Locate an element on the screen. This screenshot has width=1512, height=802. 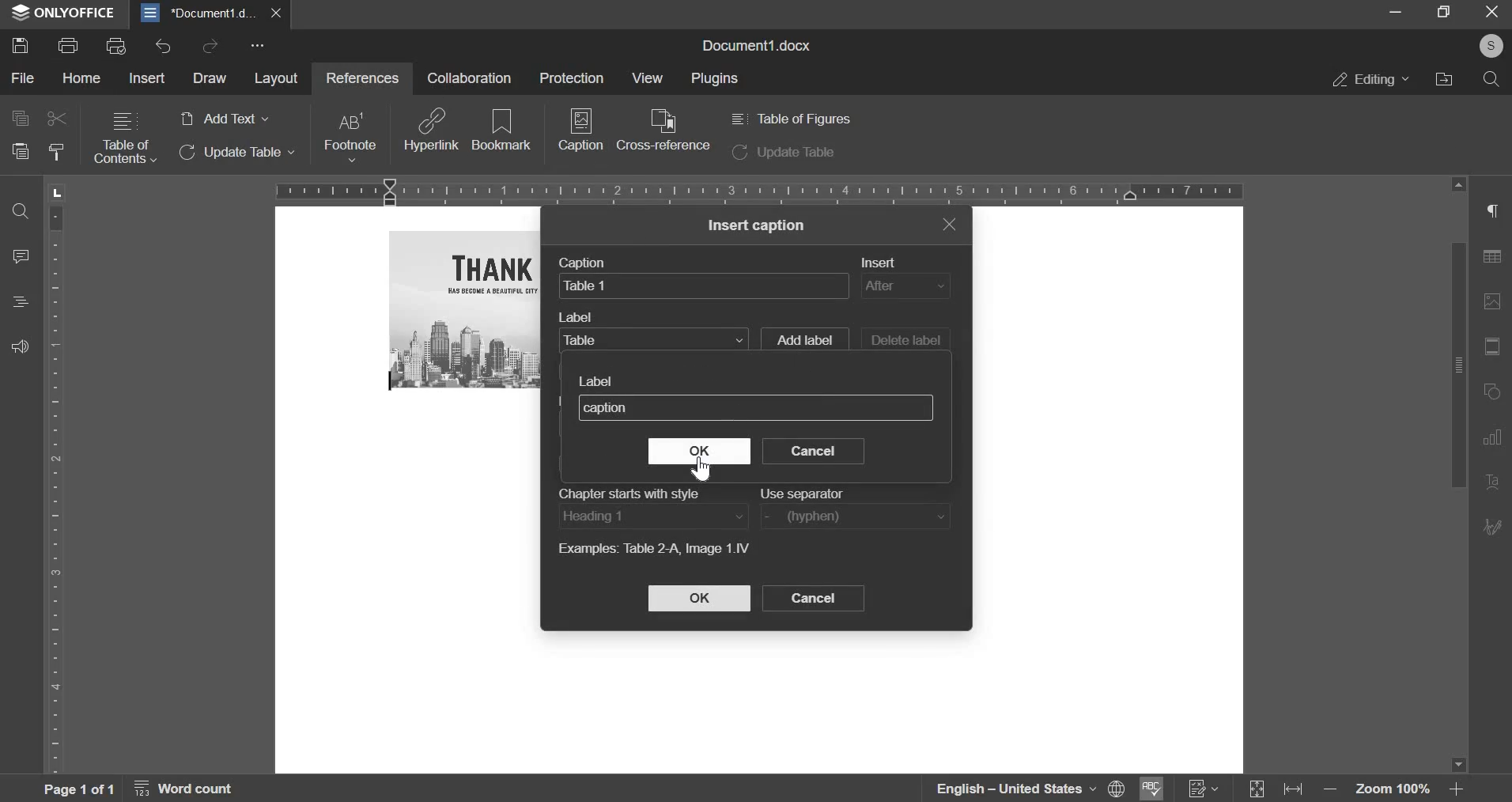
paste is located at coordinates (19, 151).